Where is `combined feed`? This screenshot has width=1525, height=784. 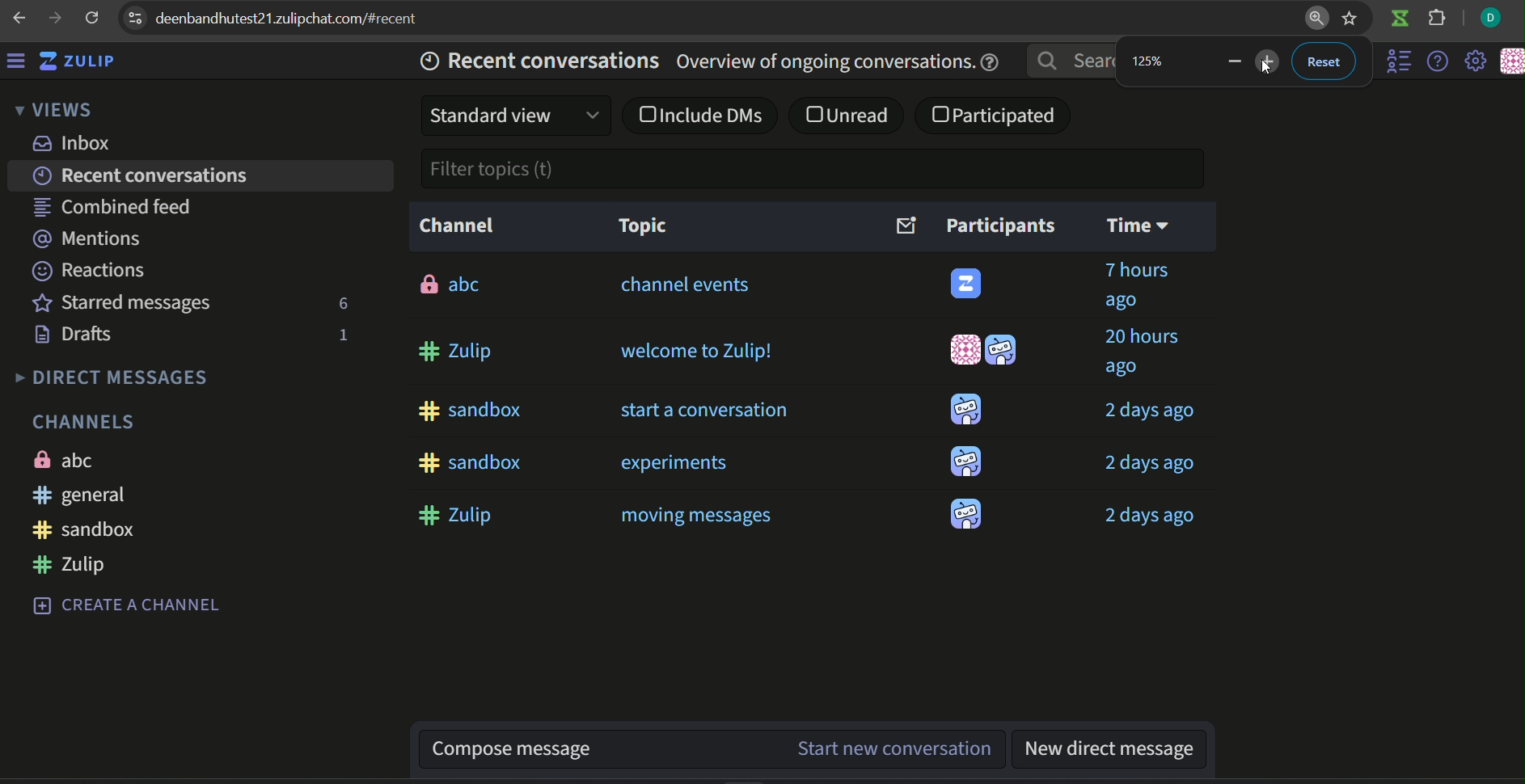 combined feed is located at coordinates (116, 204).